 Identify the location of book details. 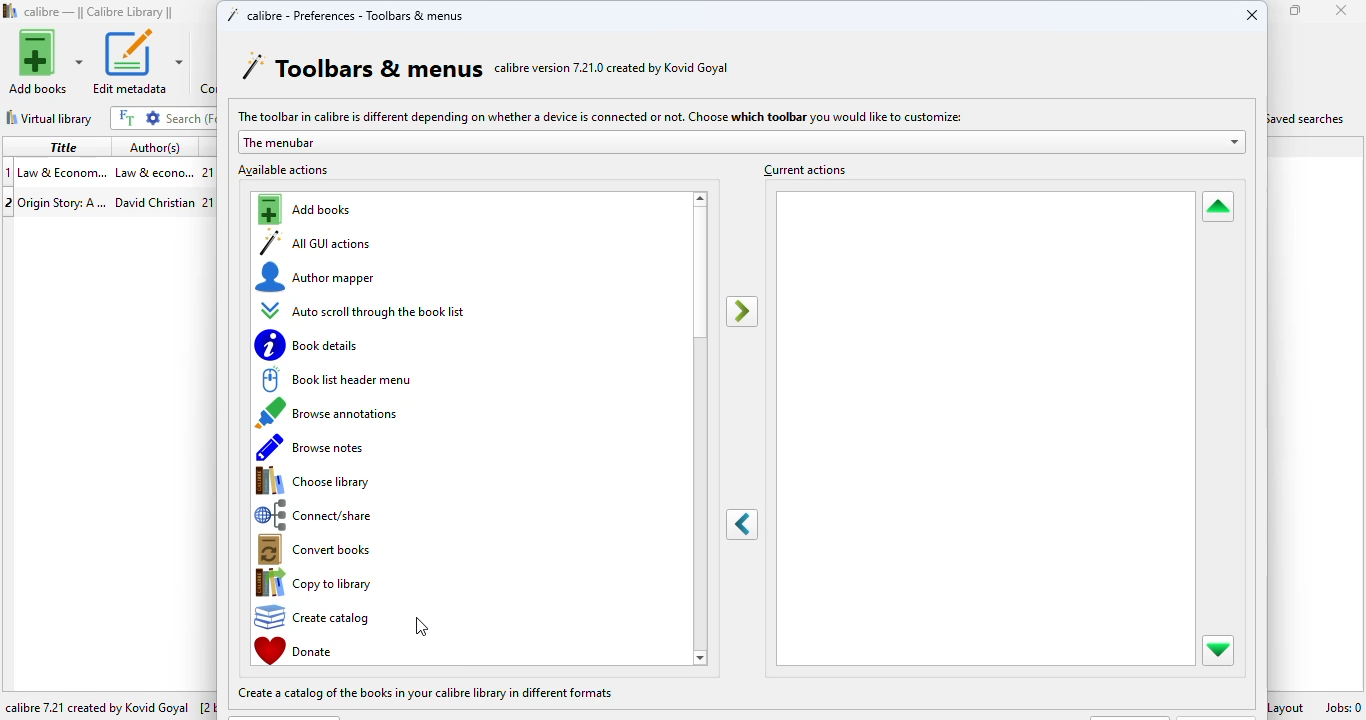
(309, 345).